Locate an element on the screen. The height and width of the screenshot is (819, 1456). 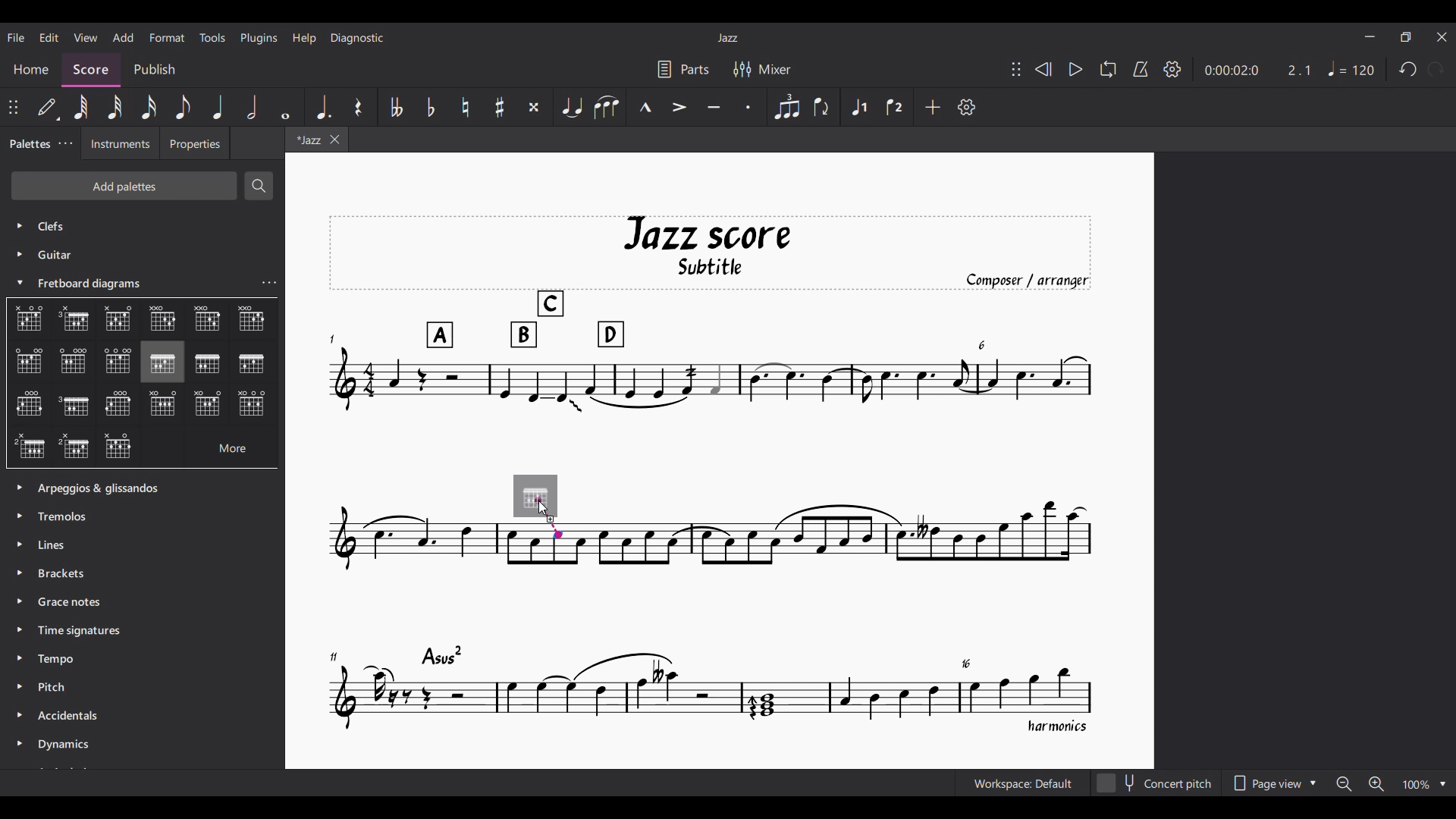
Chart 11 is located at coordinates (251, 365).